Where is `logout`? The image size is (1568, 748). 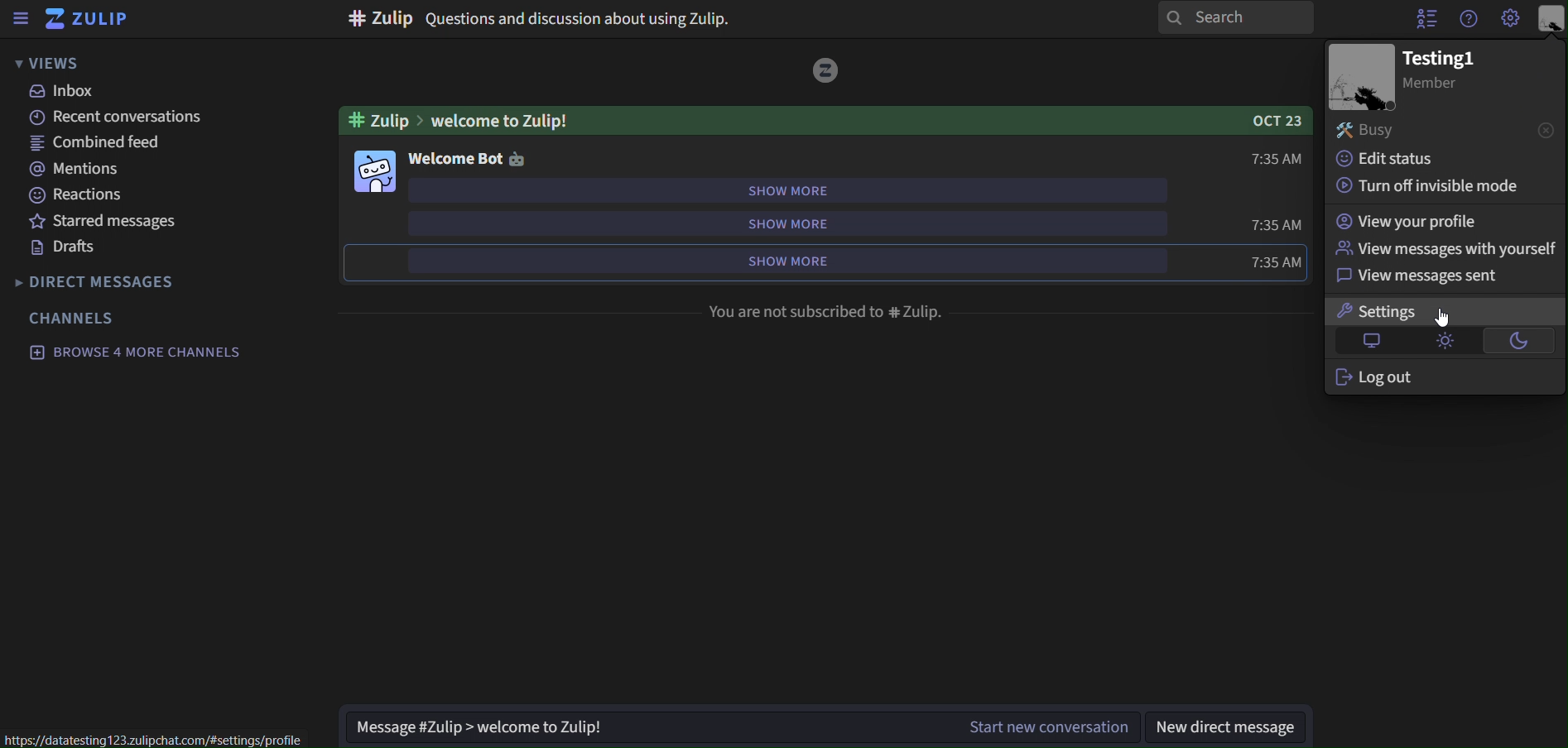
logout is located at coordinates (1394, 376).